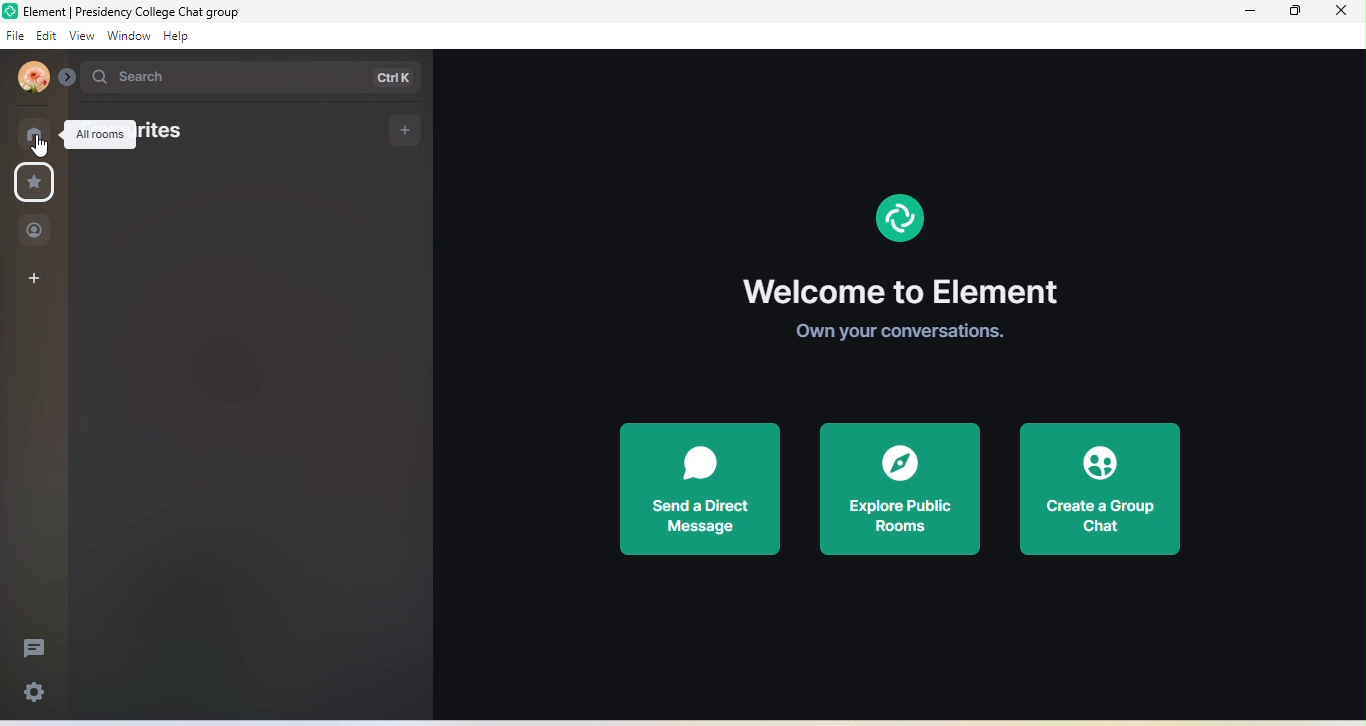 Image resolution: width=1366 pixels, height=726 pixels. I want to click on help, so click(179, 36).